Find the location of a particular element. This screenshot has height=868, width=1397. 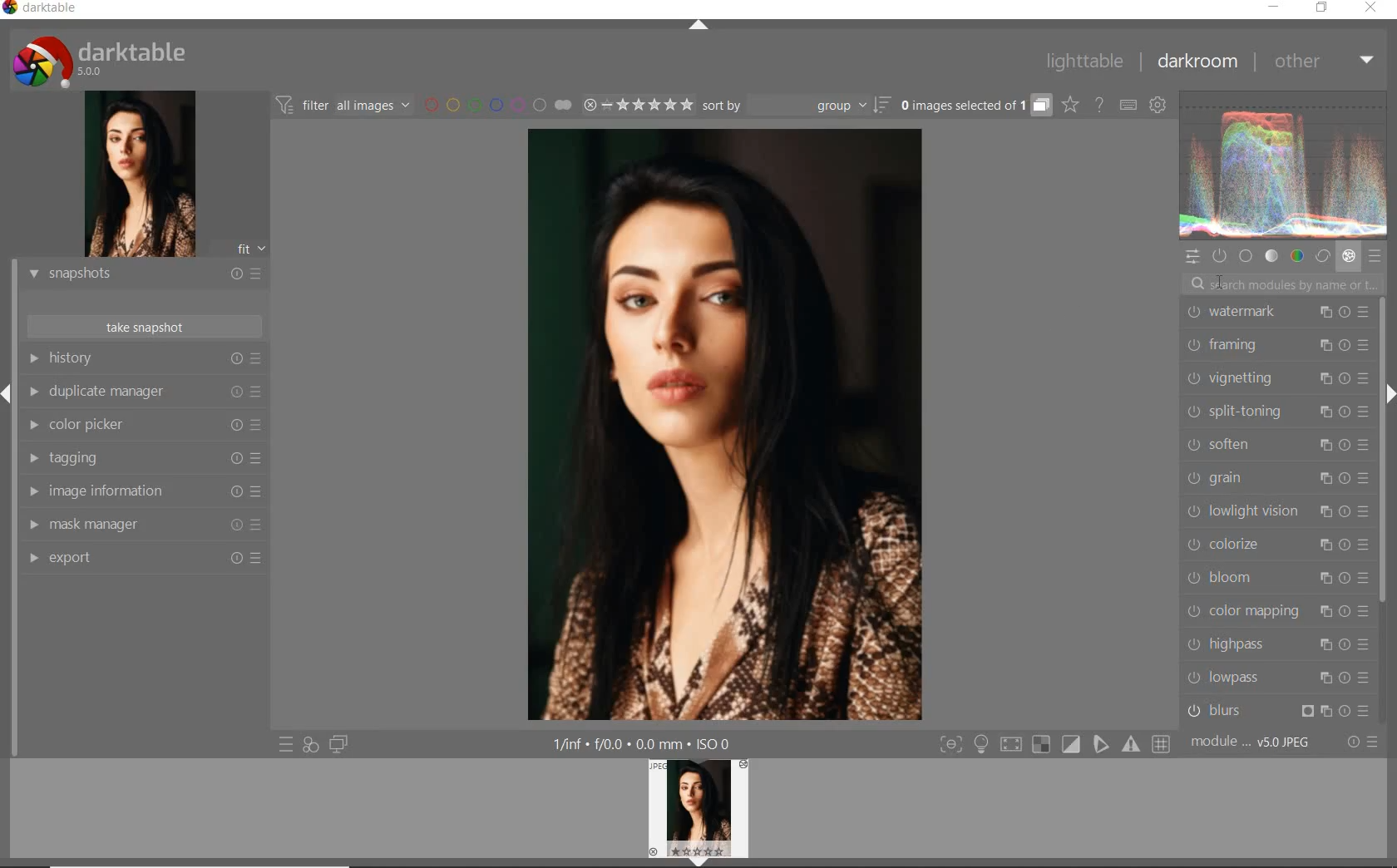

blurs is located at coordinates (1281, 708).